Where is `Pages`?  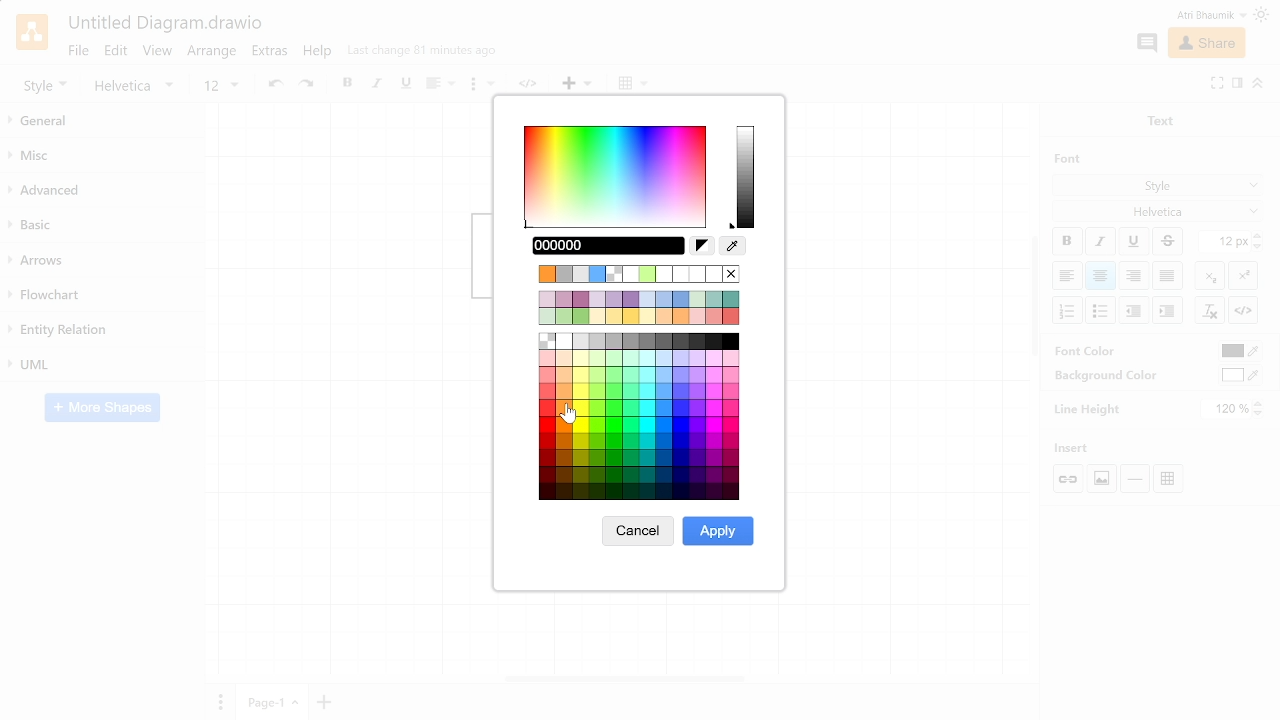
Pages is located at coordinates (218, 701).